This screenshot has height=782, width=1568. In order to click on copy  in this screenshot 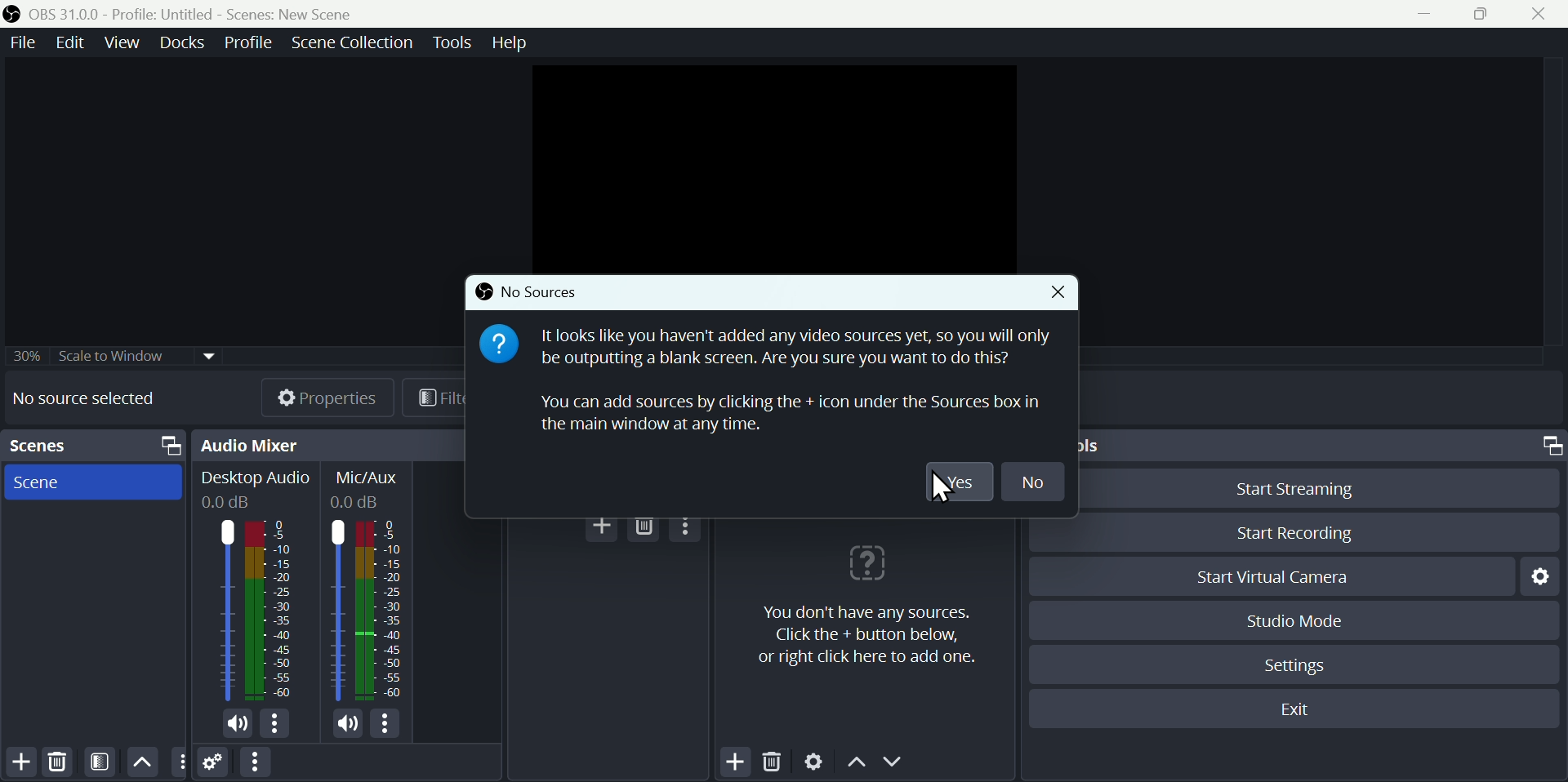, I will do `click(170, 445)`.